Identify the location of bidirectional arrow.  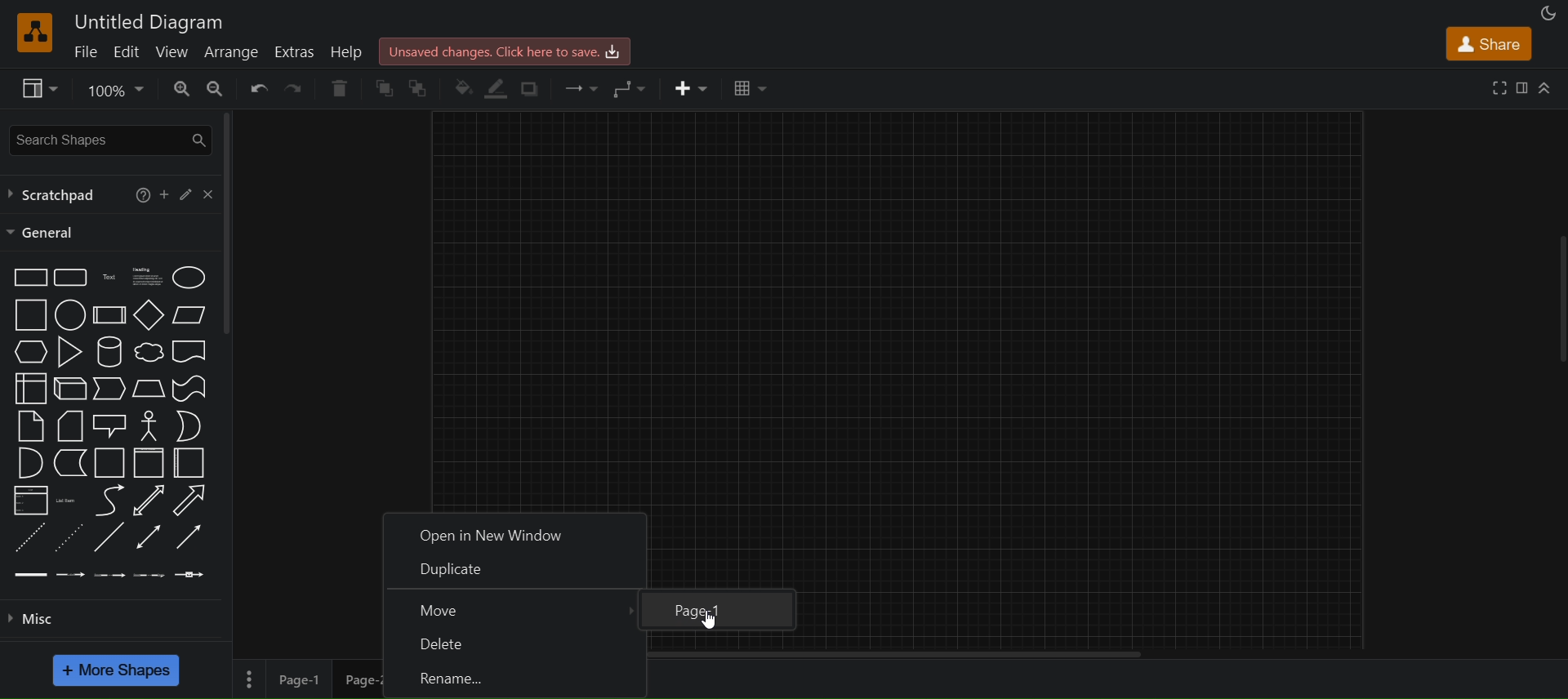
(149, 501).